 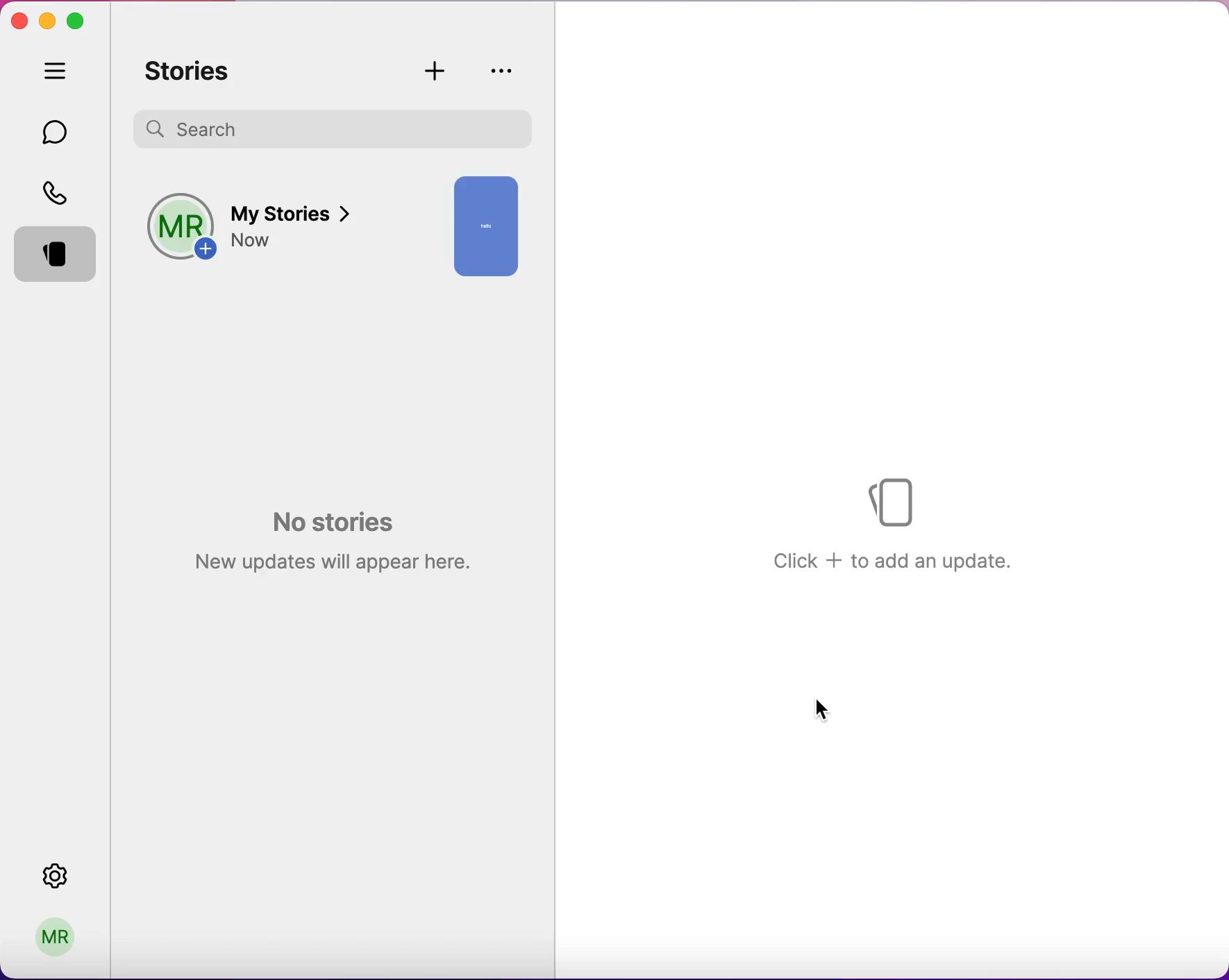 I want to click on cursor, so click(x=824, y=710).